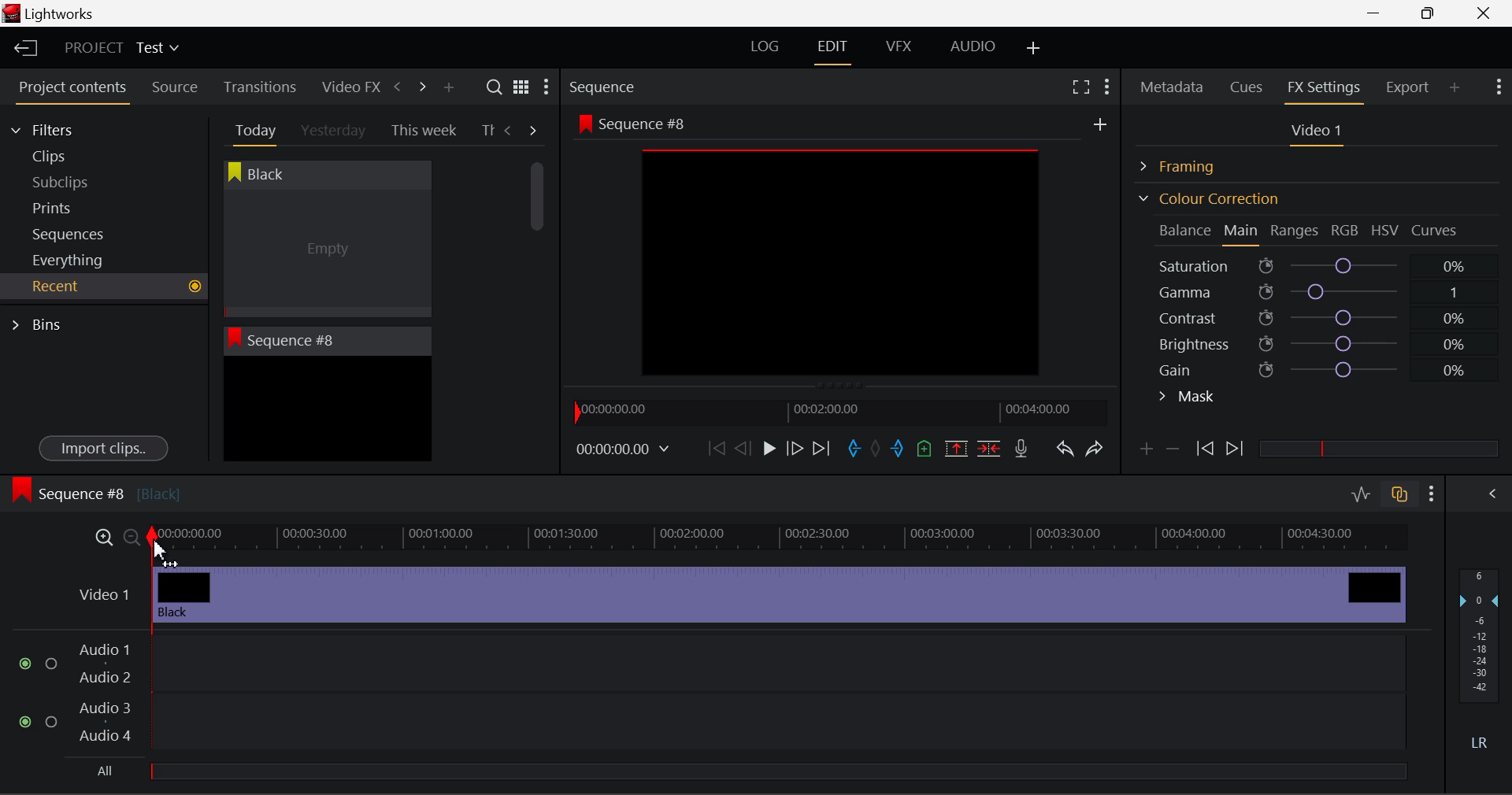 The height and width of the screenshot is (795, 1512). I want to click on Delete/Cut, so click(989, 448).